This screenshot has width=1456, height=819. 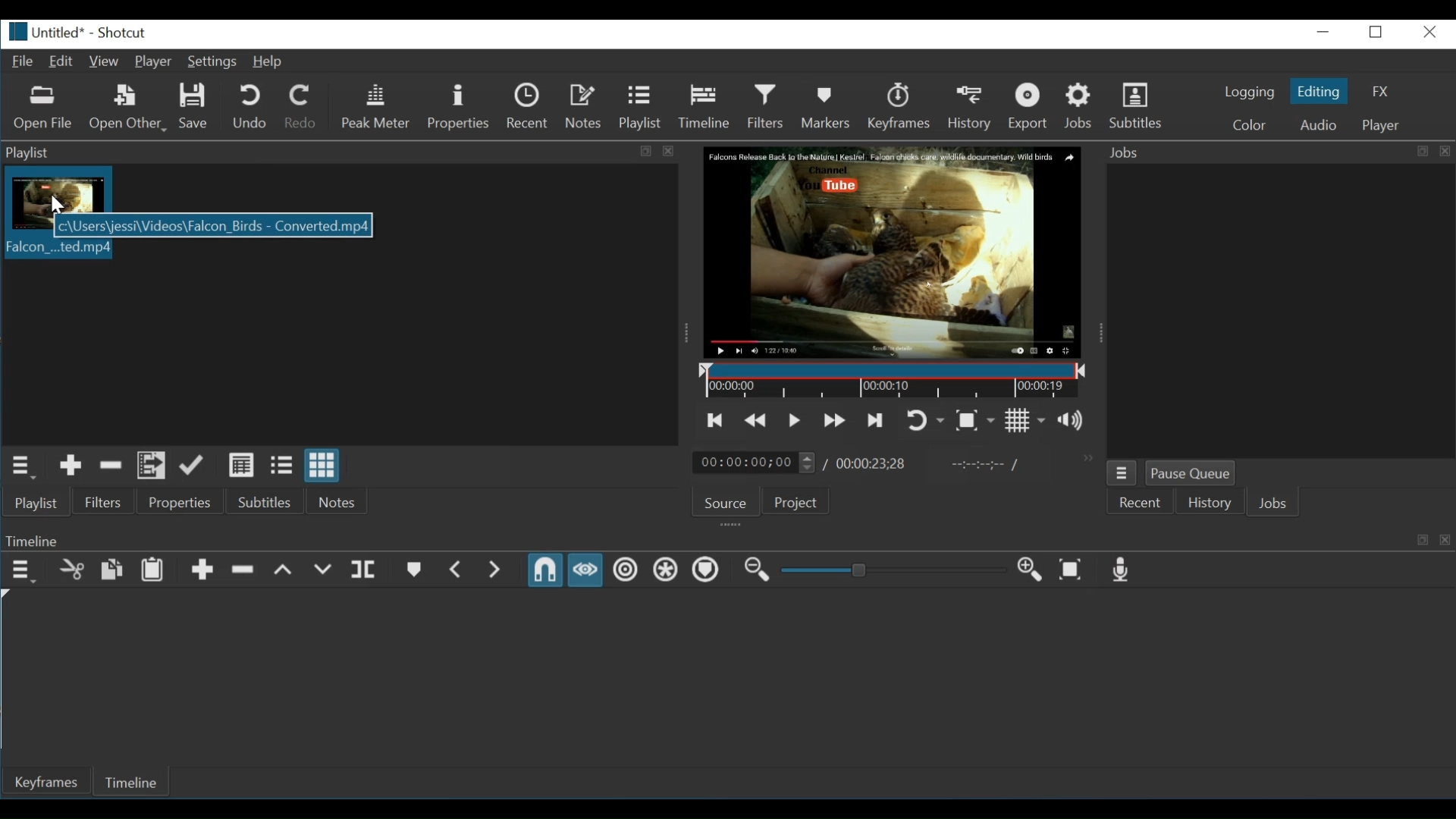 What do you see at coordinates (544, 570) in the screenshot?
I see `Snap` at bounding box center [544, 570].